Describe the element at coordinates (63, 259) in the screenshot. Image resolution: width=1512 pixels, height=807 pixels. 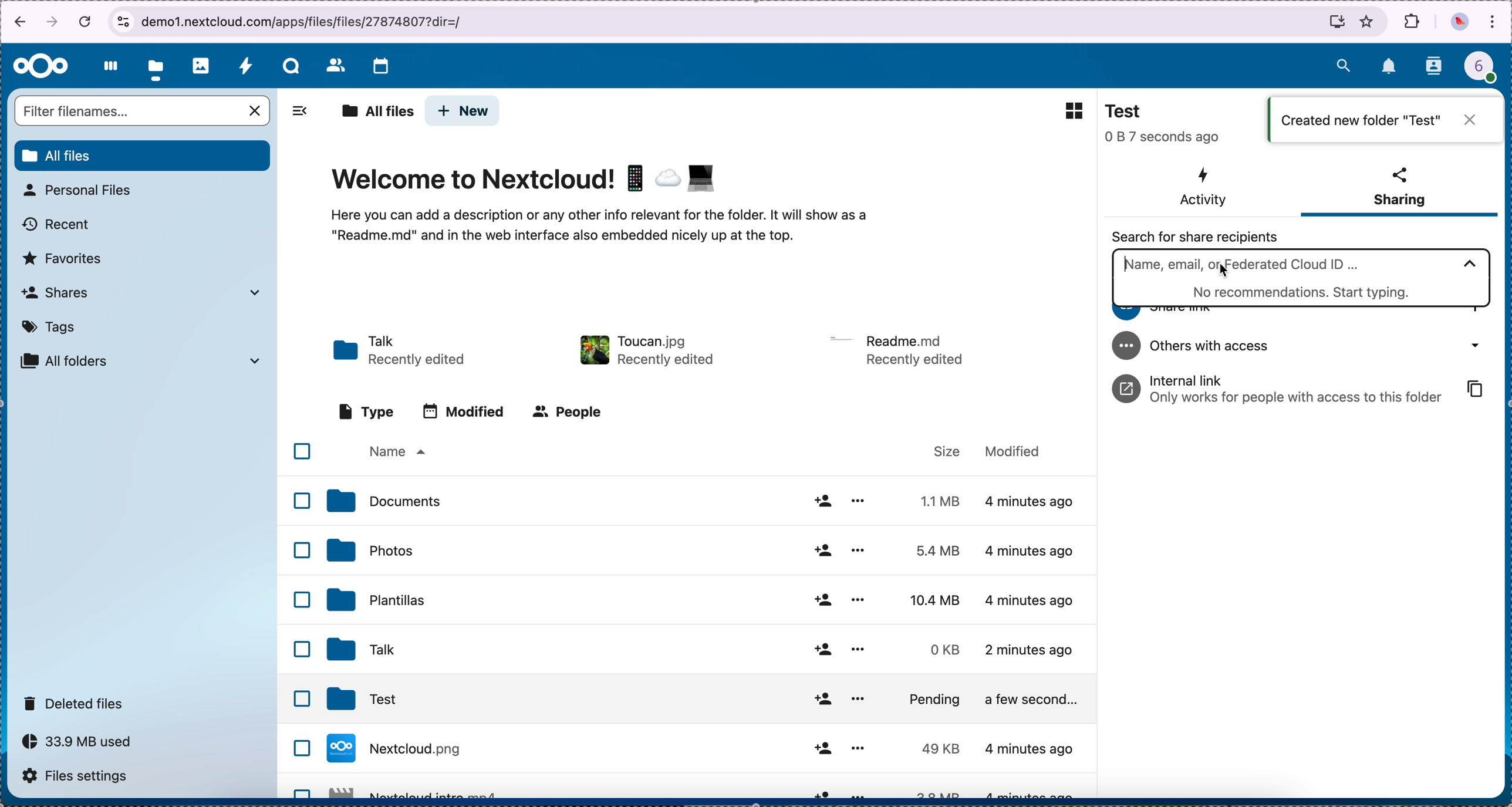
I see `favorites` at that location.